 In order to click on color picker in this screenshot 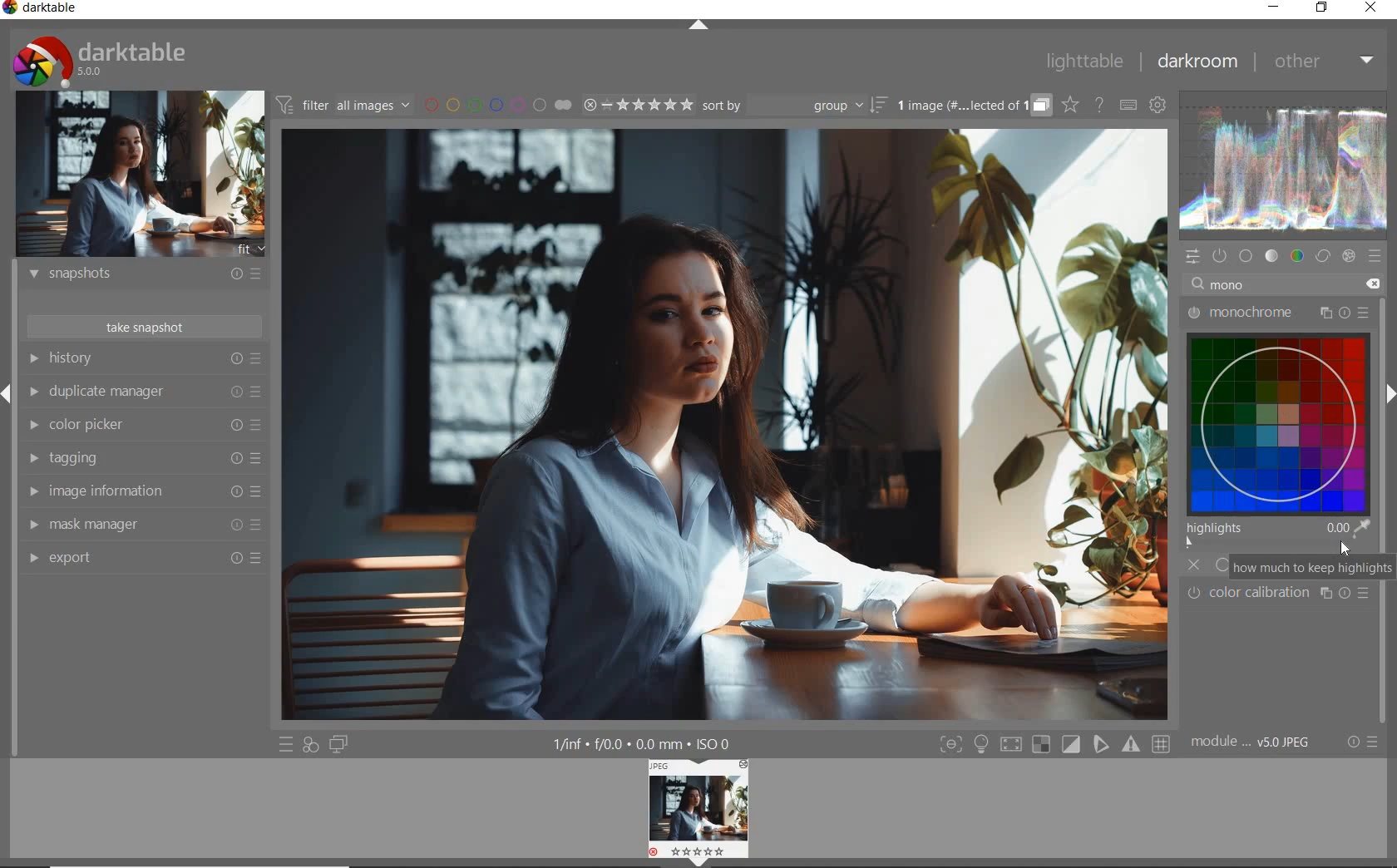, I will do `click(142, 427)`.